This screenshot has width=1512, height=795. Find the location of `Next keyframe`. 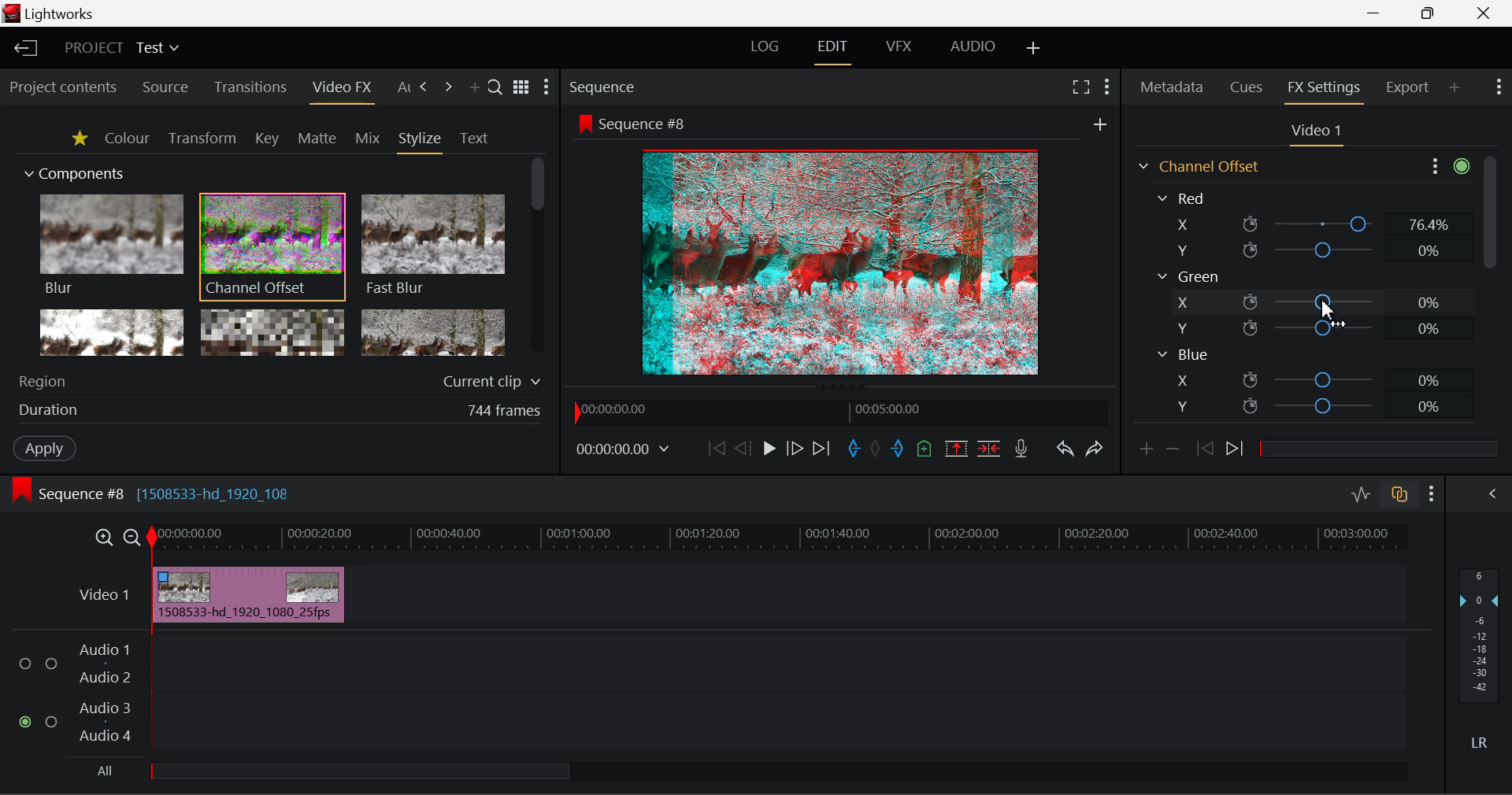

Next keyframe is located at coordinates (1237, 451).